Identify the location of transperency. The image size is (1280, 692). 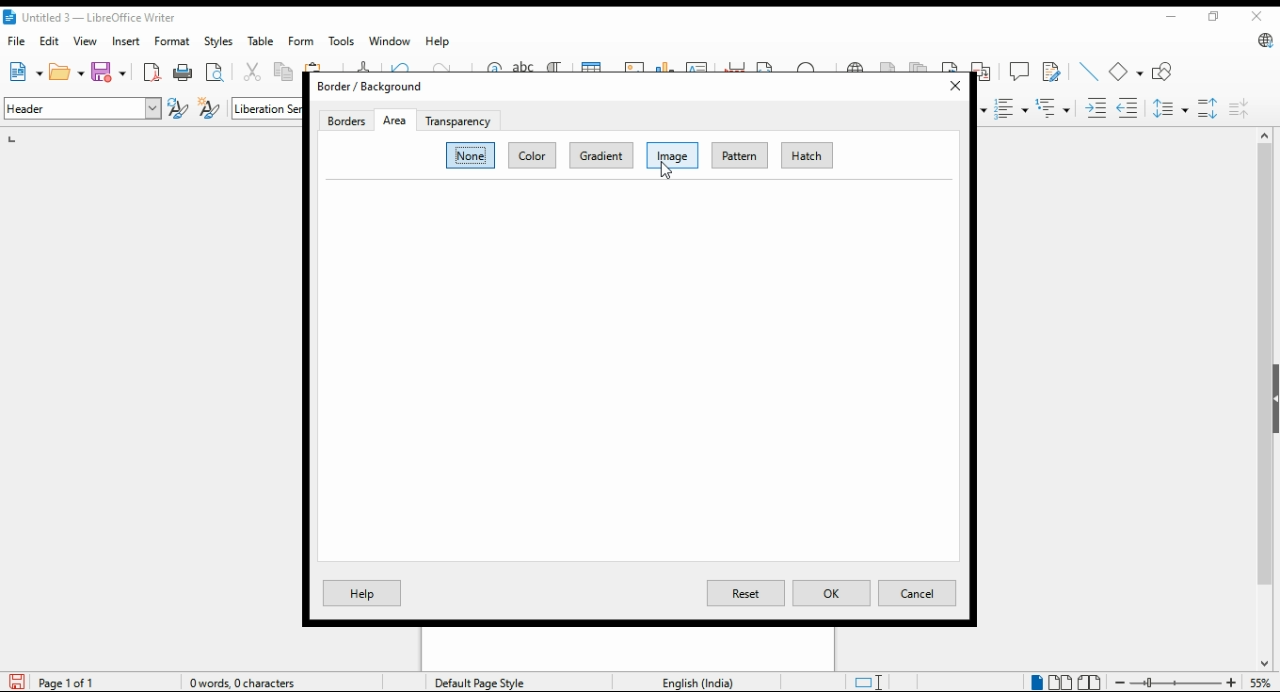
(458, 121).